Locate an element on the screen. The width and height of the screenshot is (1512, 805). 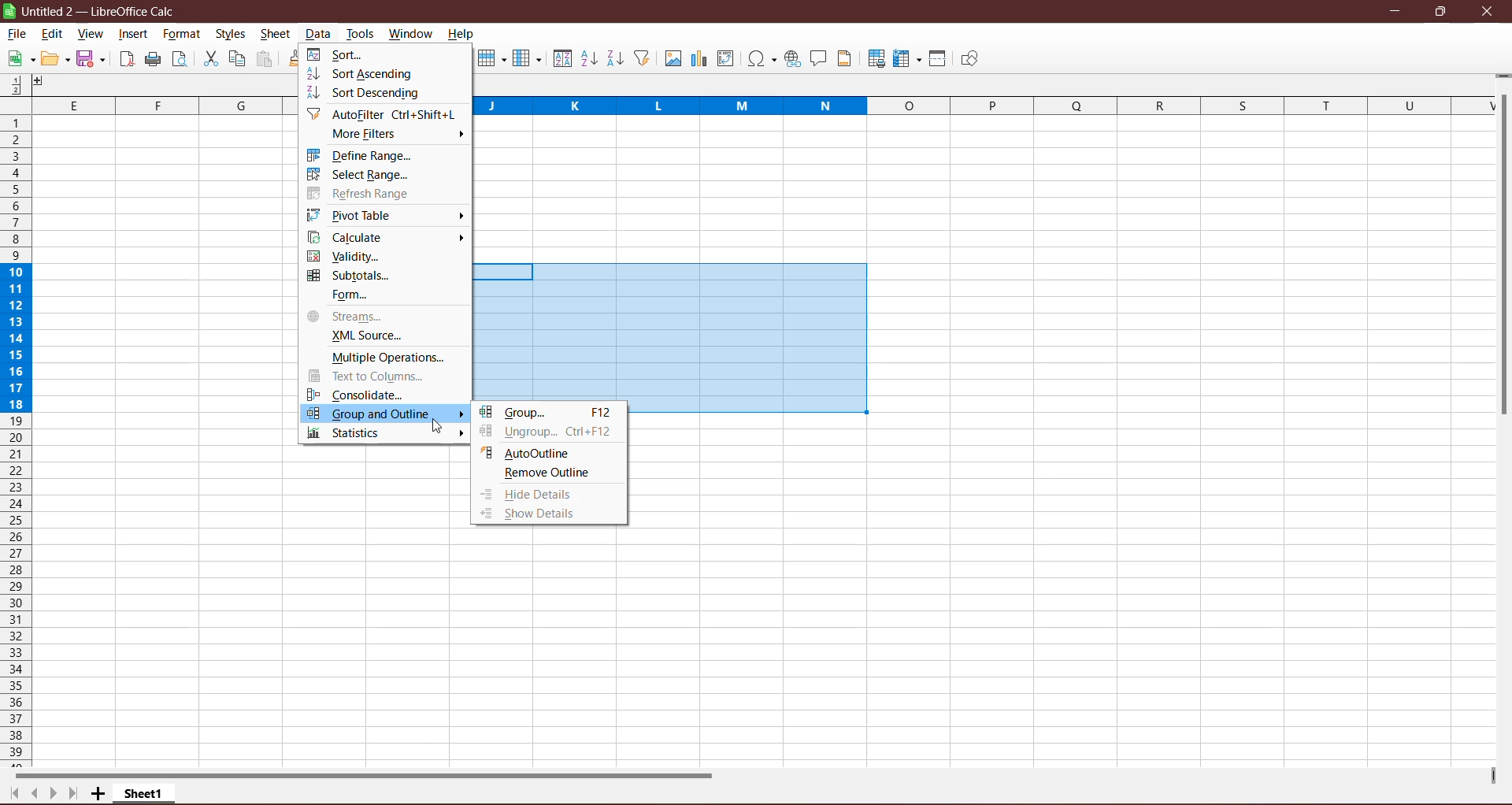
Insert Special Characters is located at coordinates (762, 58).